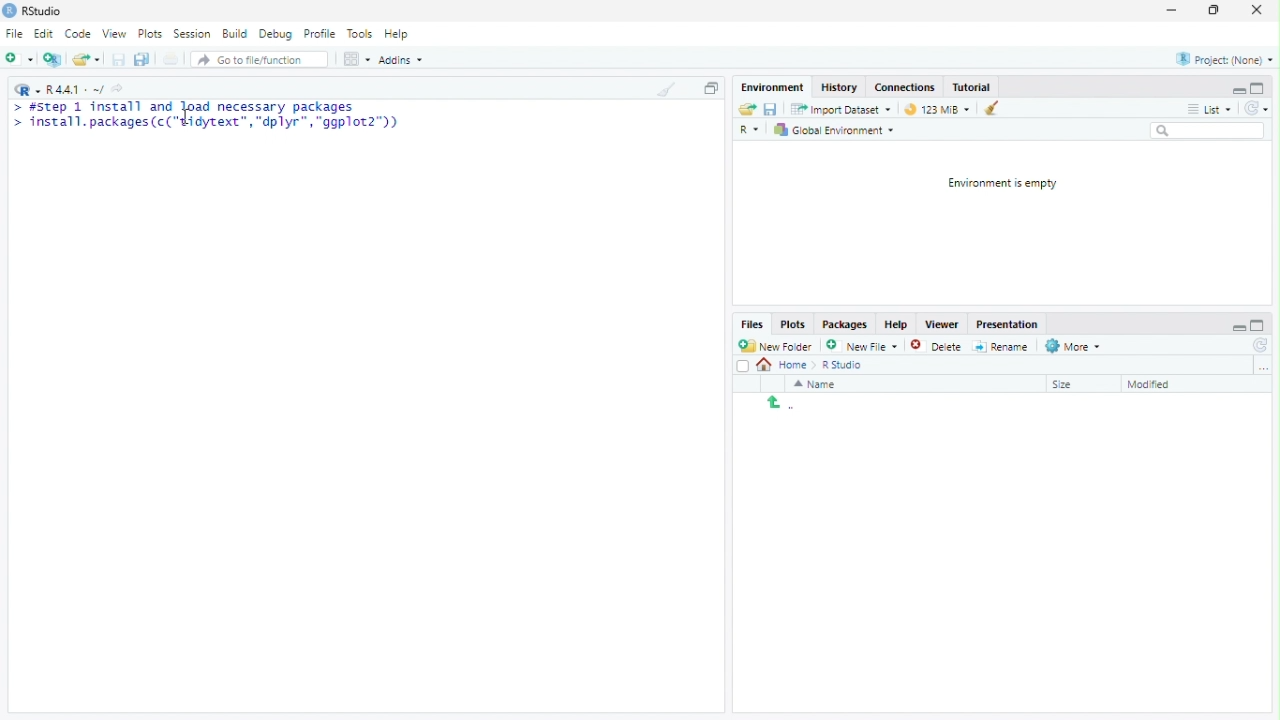  What do you see at coordinates (775, 88) in the screenshot?
I see `` at bounding box center [775, 88].